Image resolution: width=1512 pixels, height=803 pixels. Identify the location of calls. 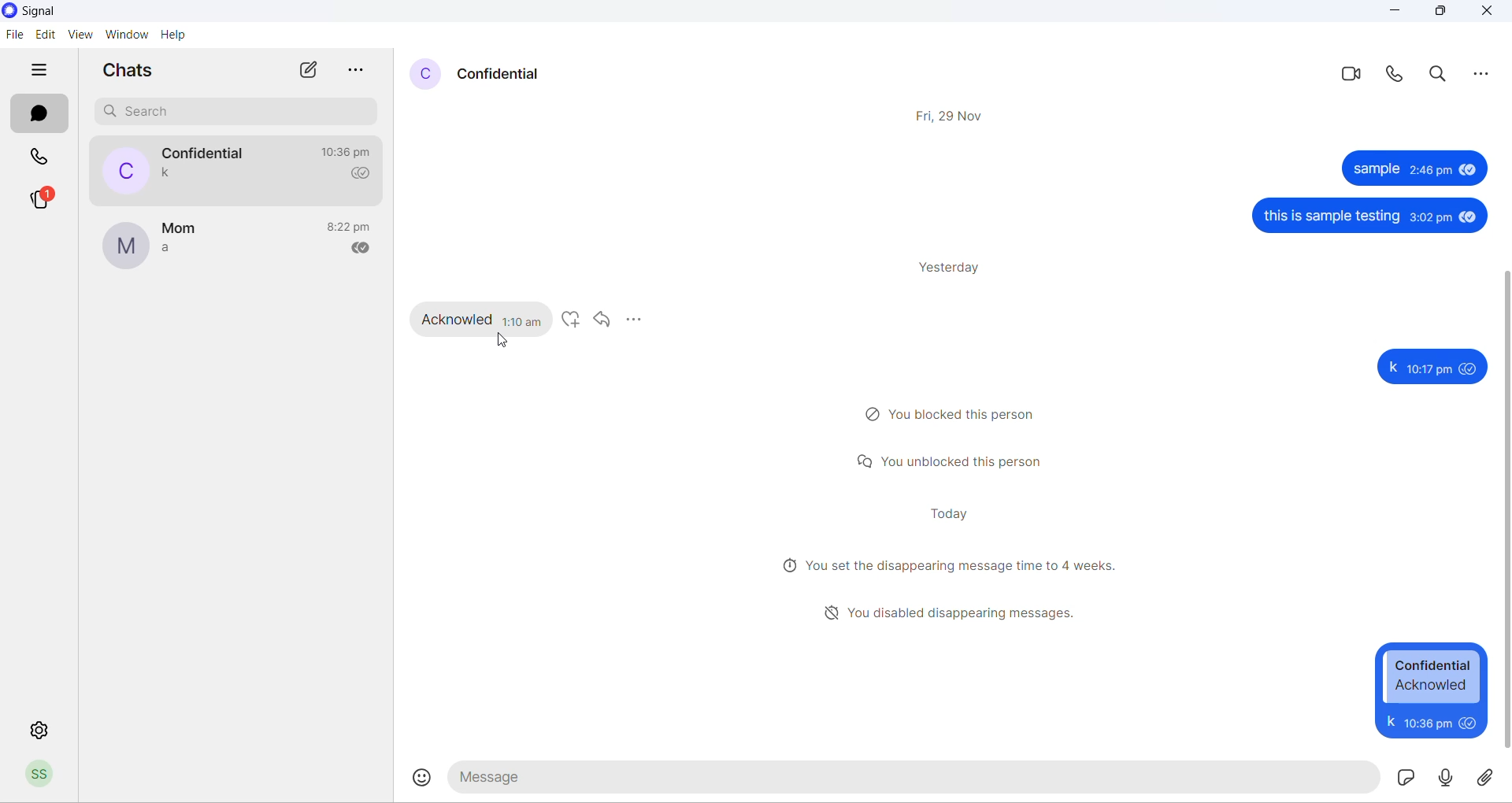
(44, 157).